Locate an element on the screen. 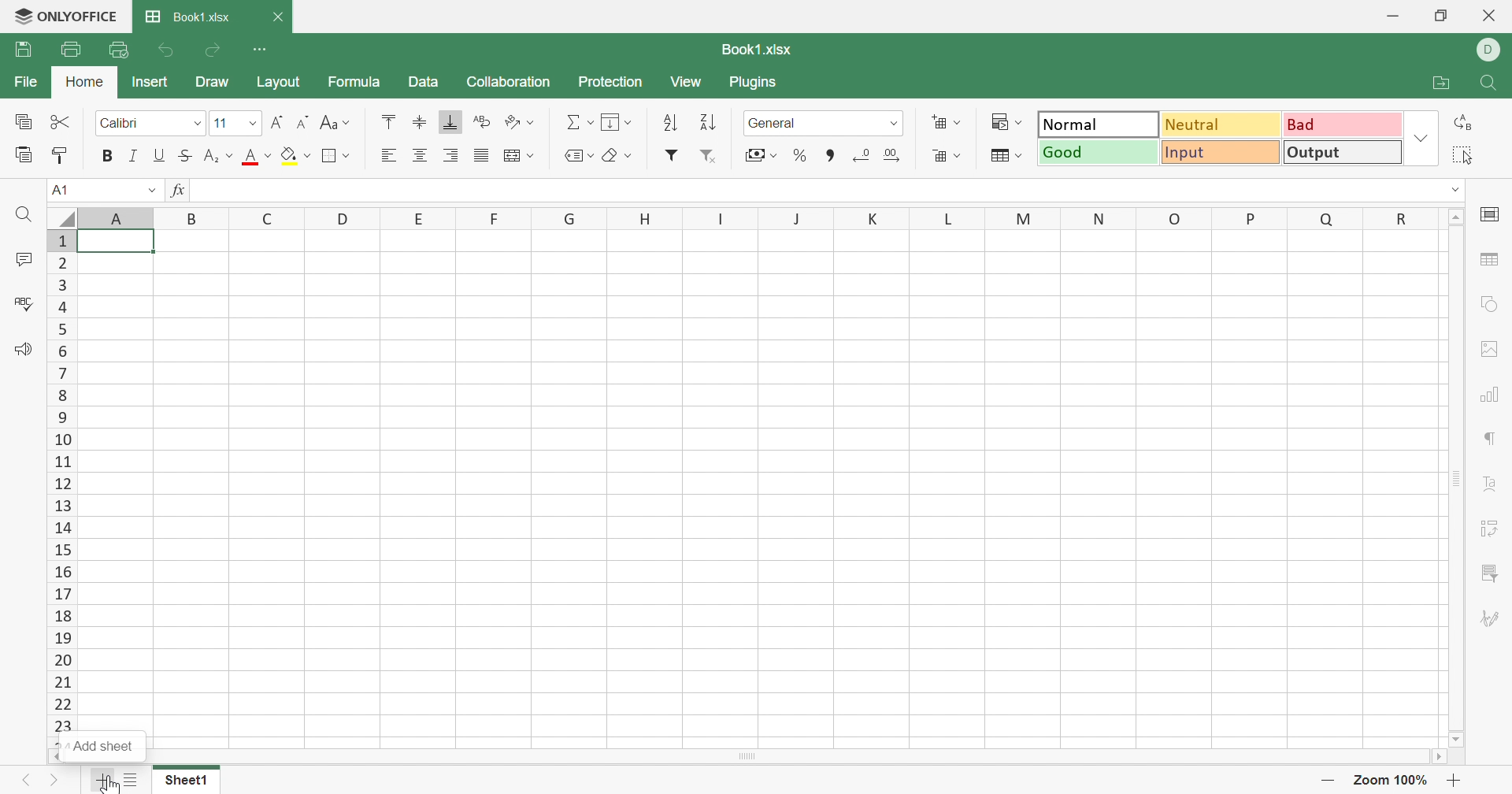 The image size is (1512, 794). Delete cells is located at coordinates (941, 158).